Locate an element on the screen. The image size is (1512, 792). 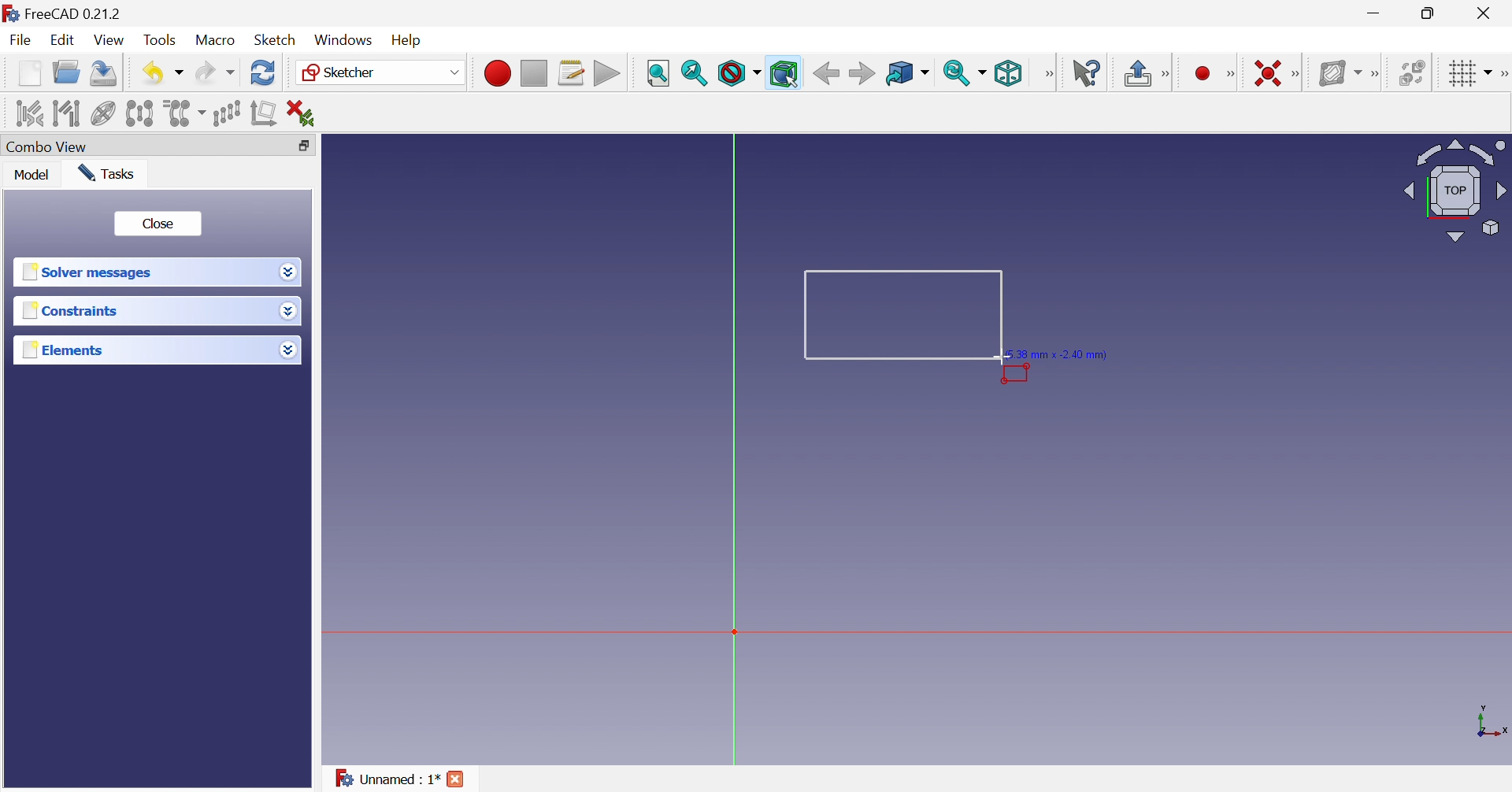
Edit is located at coordinates (62, 41).